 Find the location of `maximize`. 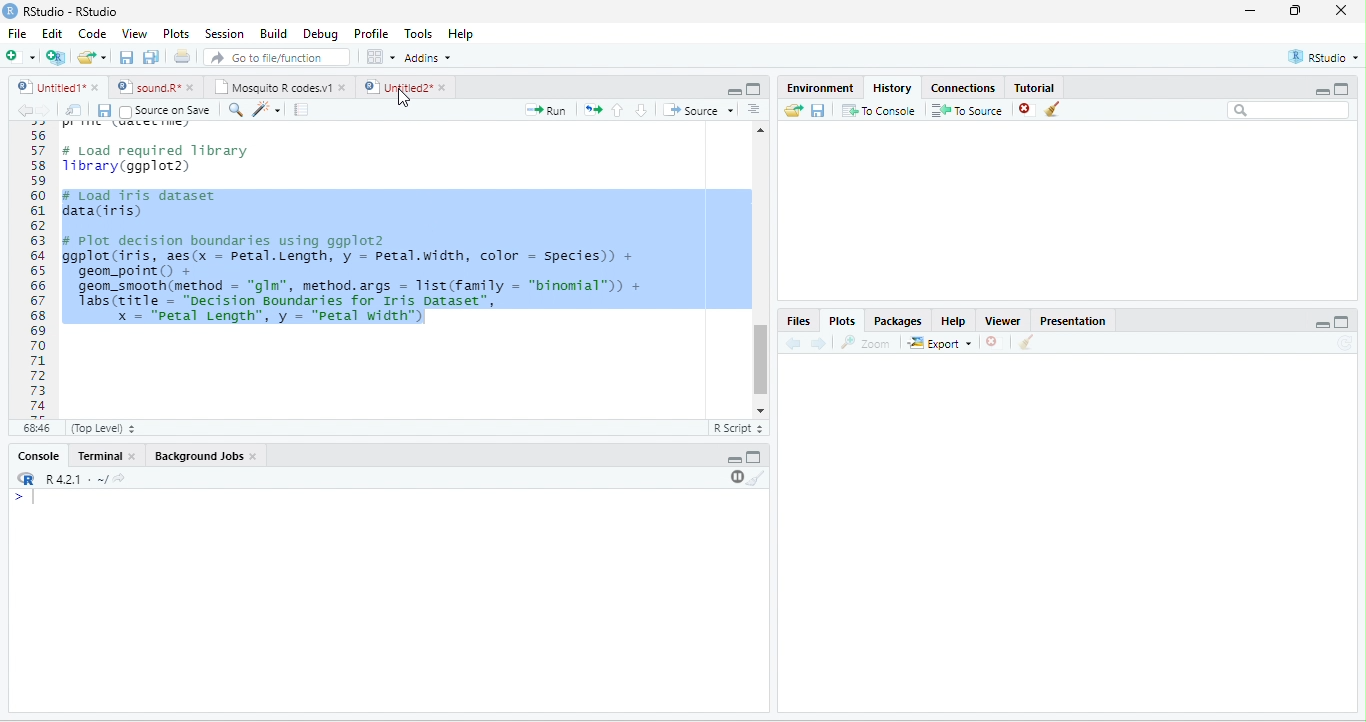

maximize is located at coordinates (754, 89).